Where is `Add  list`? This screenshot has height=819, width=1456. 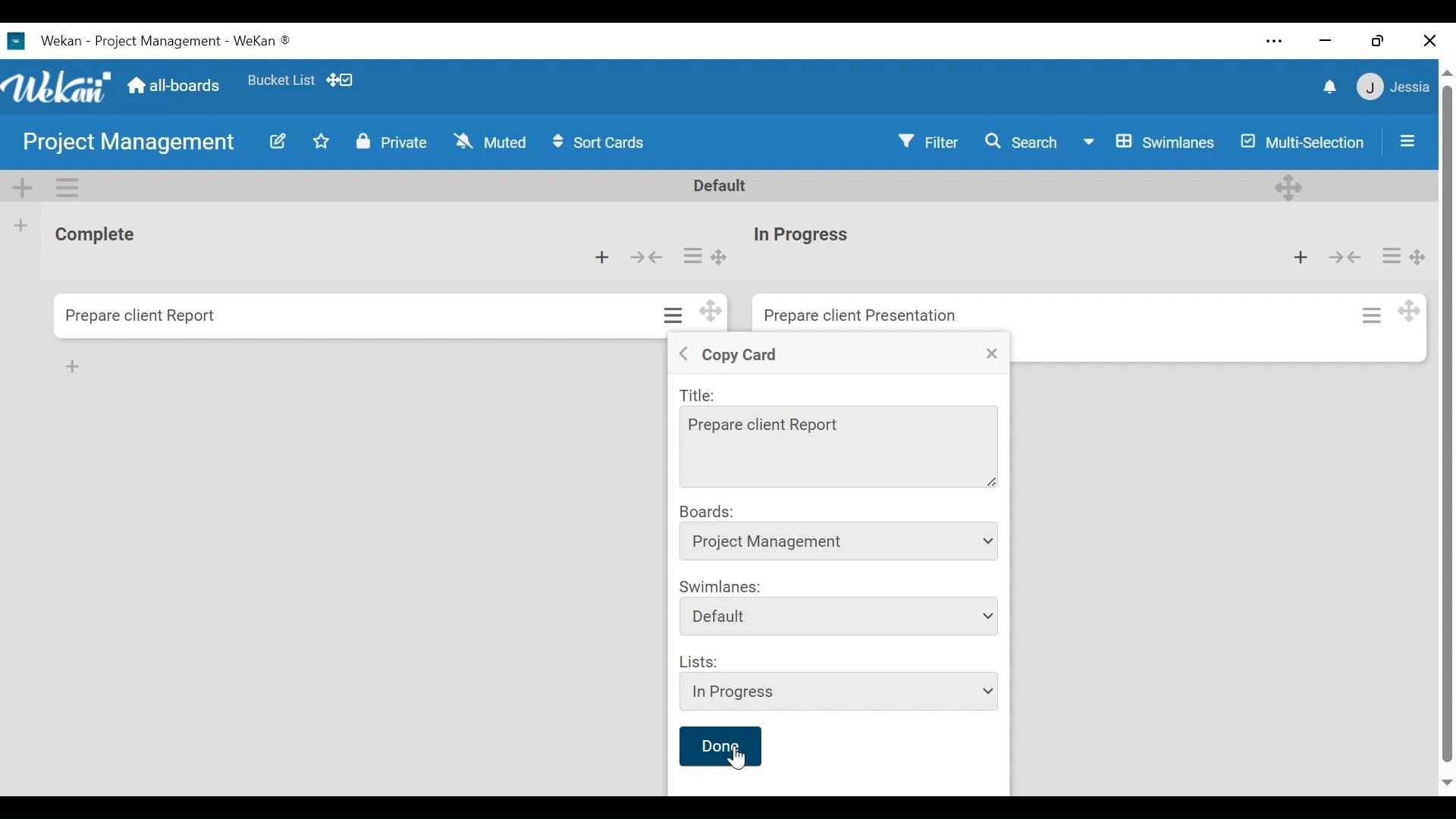
Add  list is located at coordinates (20, 226).